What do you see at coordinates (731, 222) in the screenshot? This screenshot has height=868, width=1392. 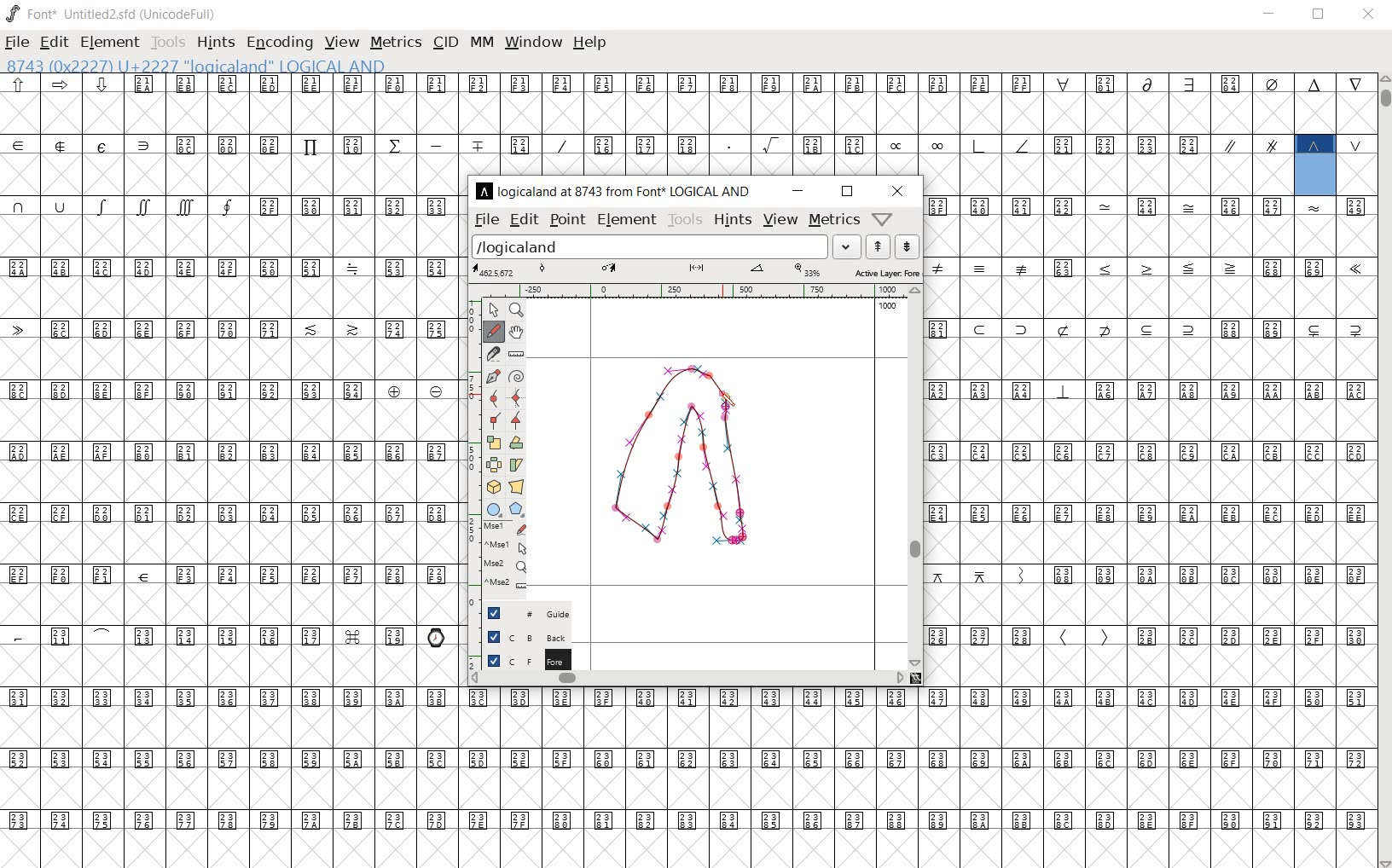 I see `hints` at bounding box center [731, 222].